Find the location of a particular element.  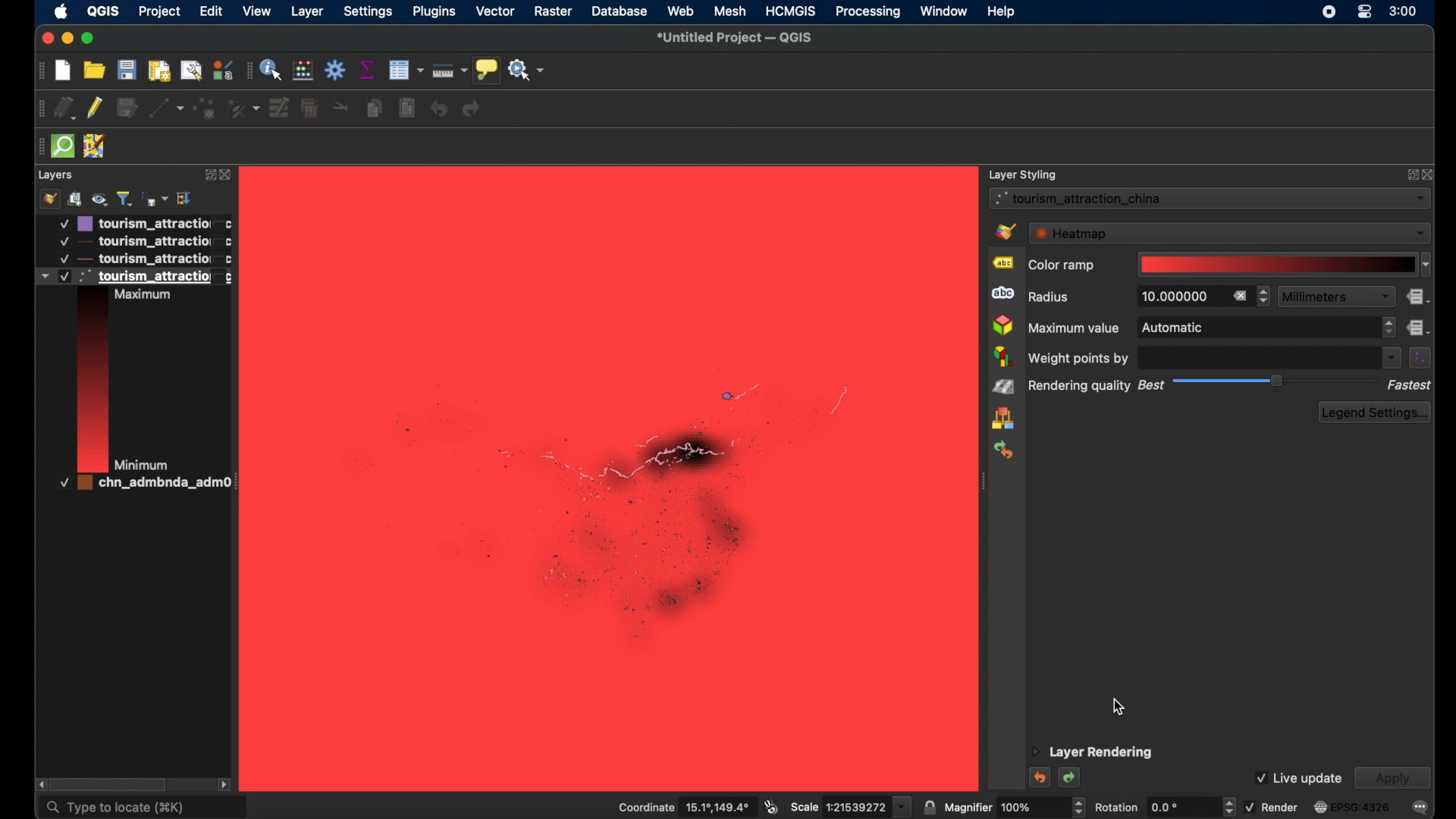

apply is located at coordinates (1392, 779).